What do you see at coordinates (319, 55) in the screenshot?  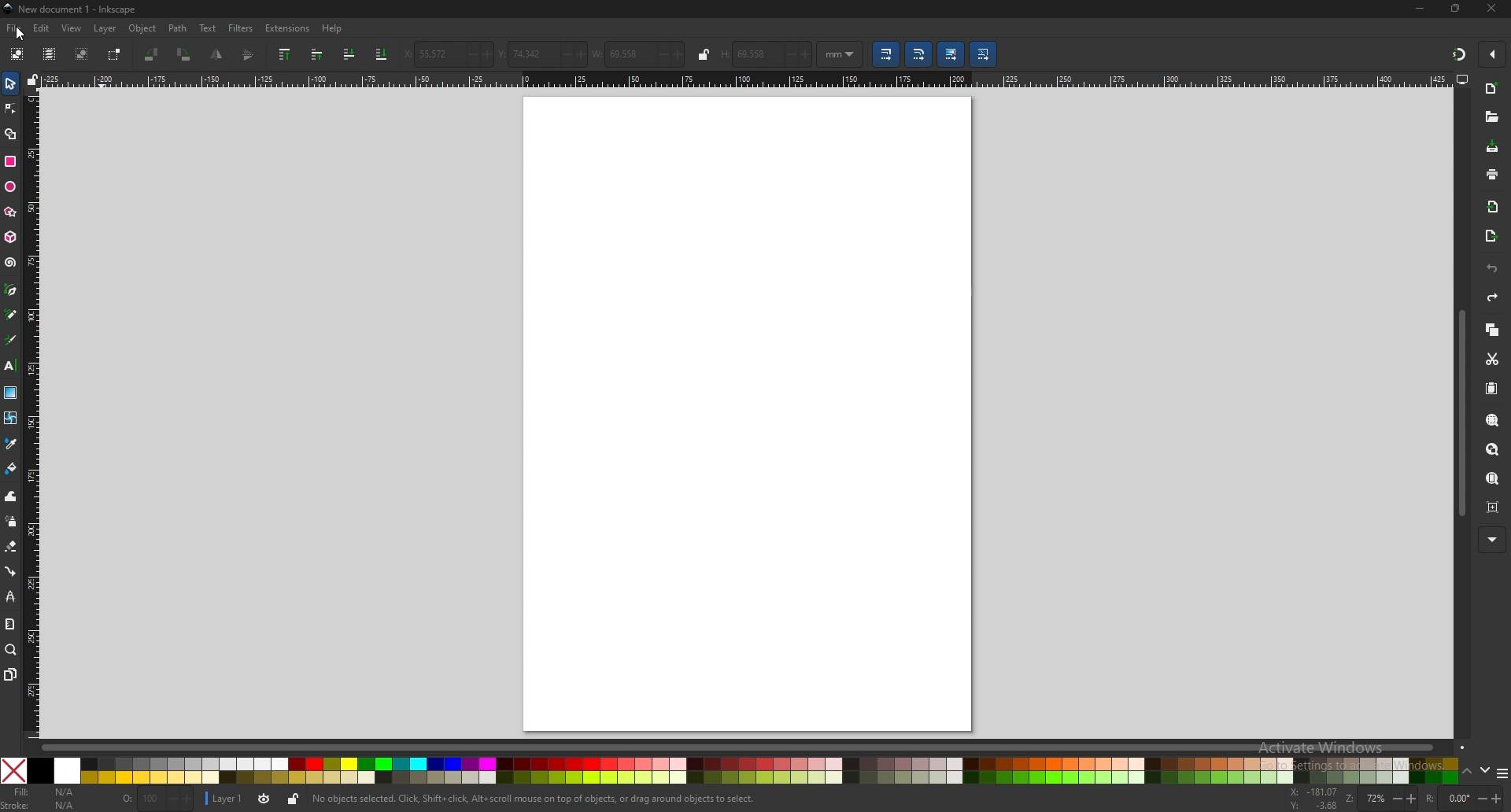 I see `raise selection one step` at bounding box center [319, 55].